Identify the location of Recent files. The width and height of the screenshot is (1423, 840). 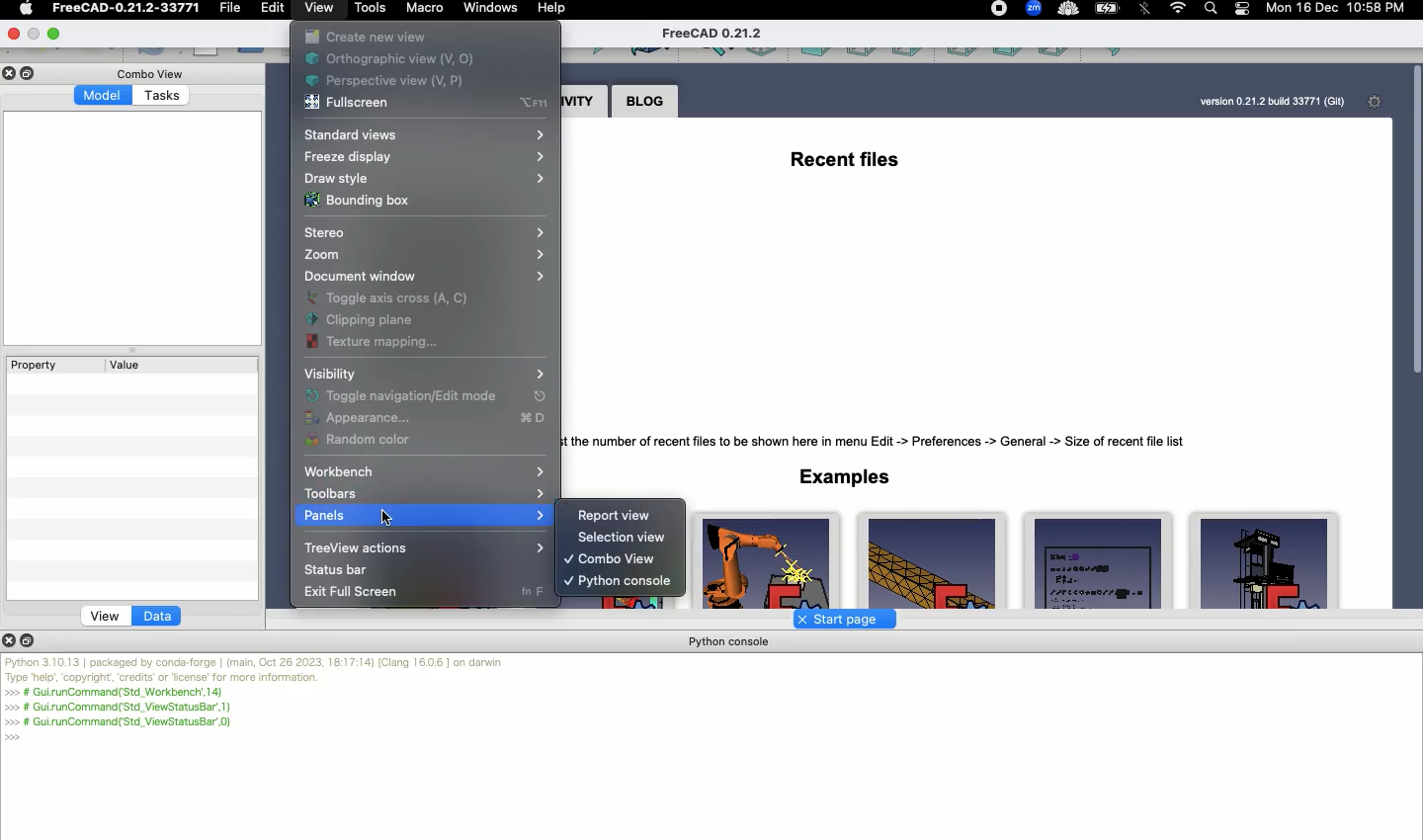
(842, 155).